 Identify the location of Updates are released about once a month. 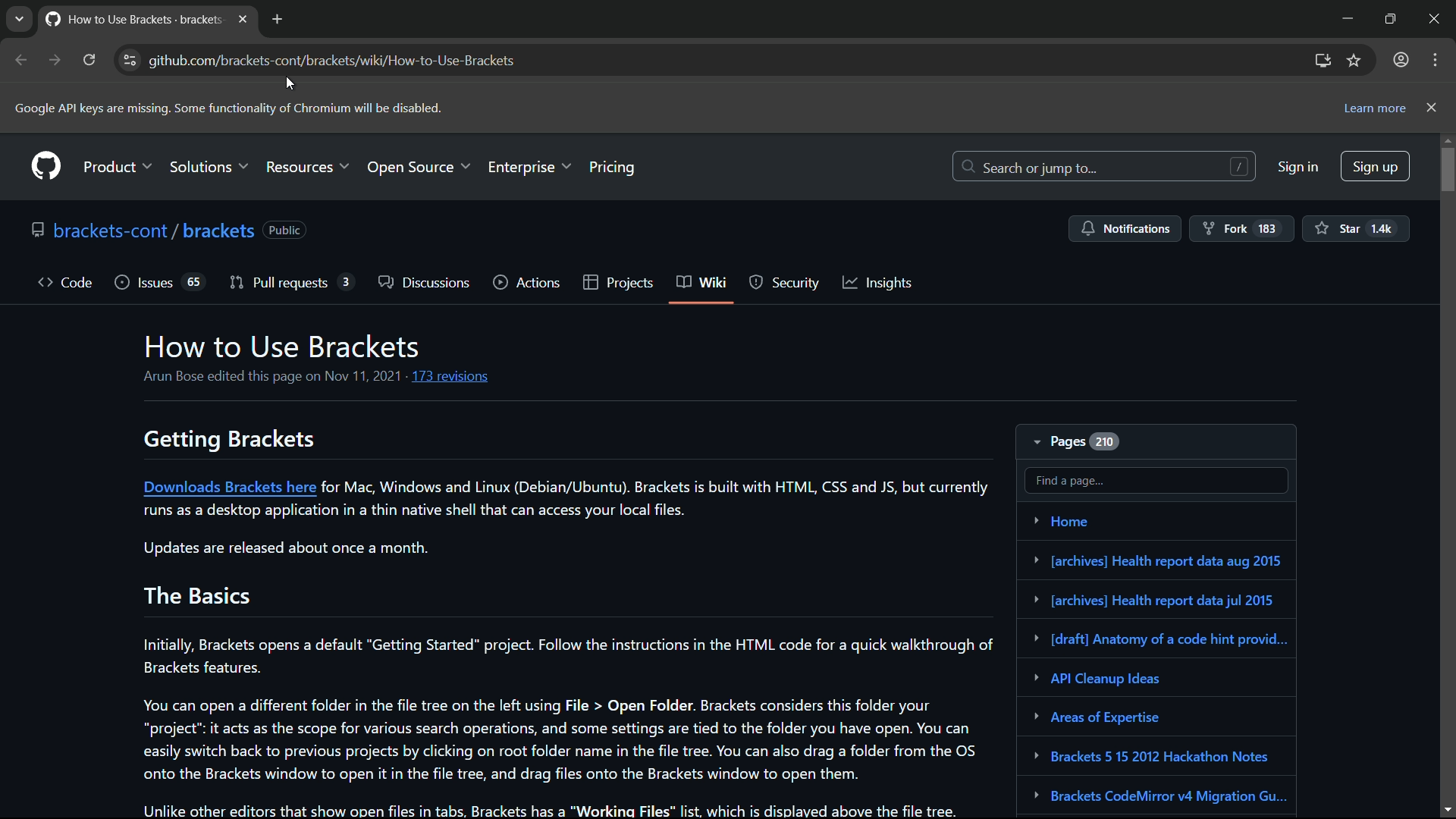
(288, 548).